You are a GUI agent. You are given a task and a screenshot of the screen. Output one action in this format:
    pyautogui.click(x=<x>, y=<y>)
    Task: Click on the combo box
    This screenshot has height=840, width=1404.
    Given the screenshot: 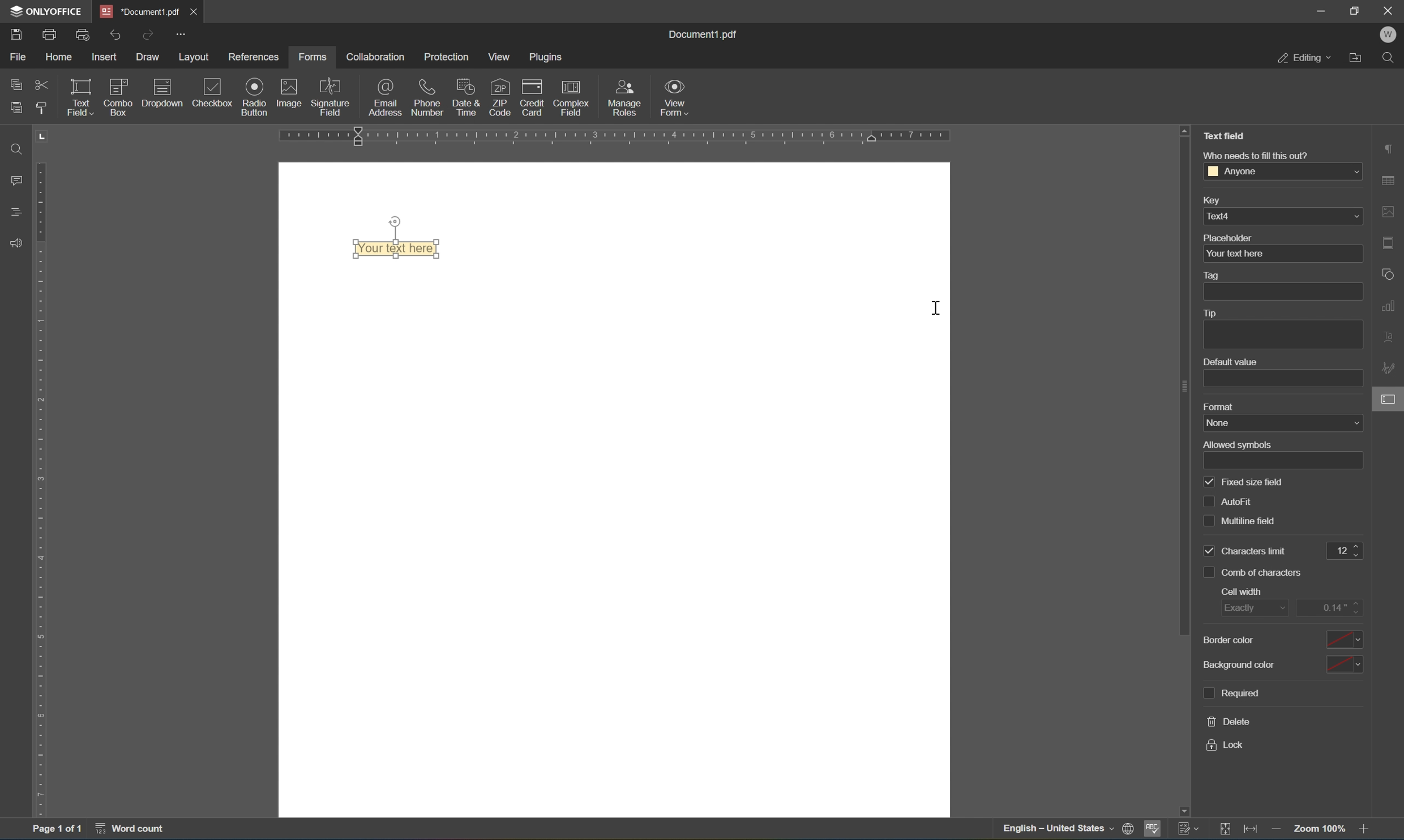 What is the action you would take?
    pyautogui.click(x=121, y=91)
    